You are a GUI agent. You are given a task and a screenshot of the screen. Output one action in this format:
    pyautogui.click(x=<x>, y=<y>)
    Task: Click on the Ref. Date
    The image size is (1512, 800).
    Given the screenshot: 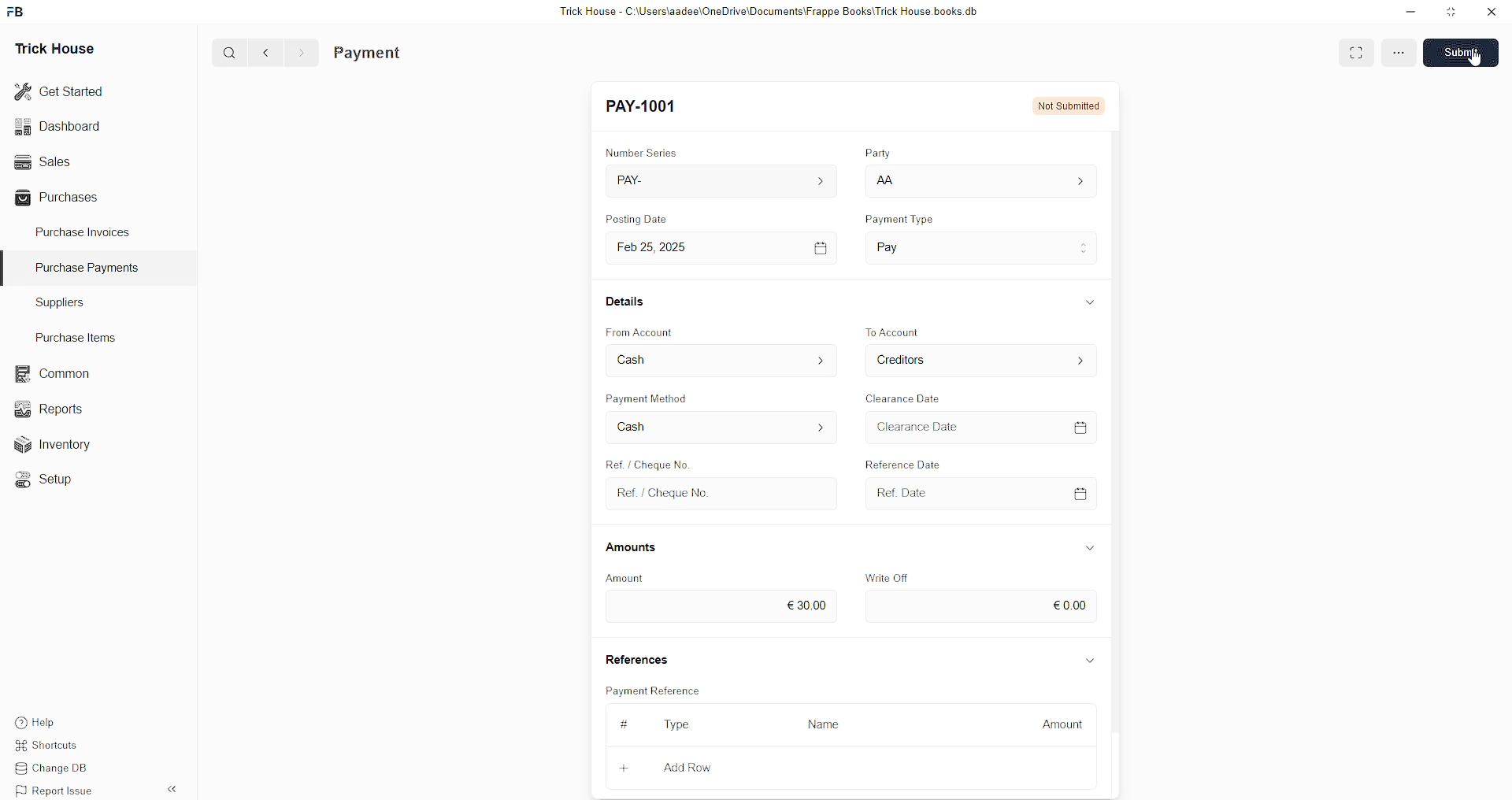 What is the action you would take?
    pyautogui.click(x=913, y=490)
    